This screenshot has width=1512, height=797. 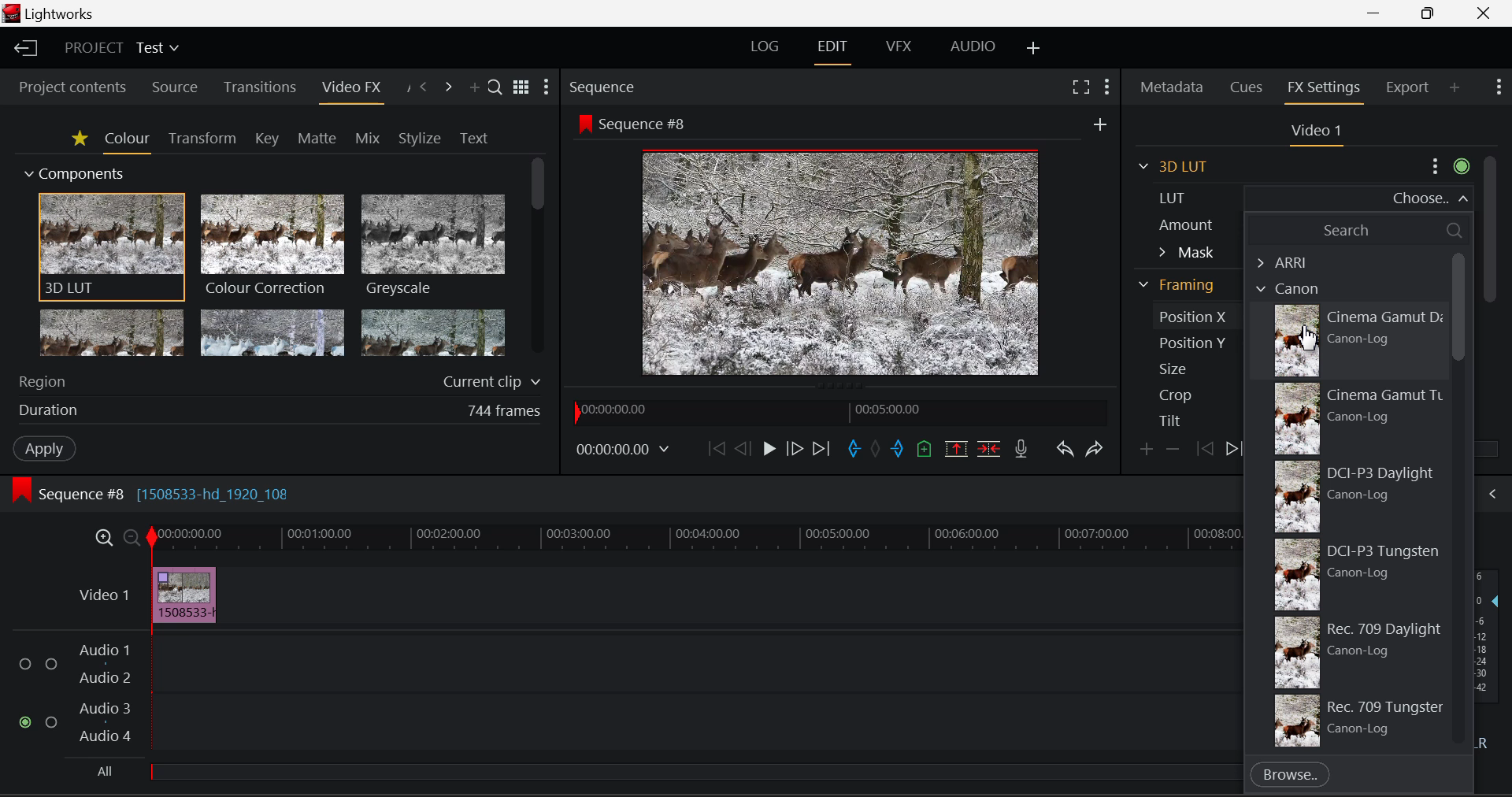 I want to click on Mark Out, so click(x=898, y=449).